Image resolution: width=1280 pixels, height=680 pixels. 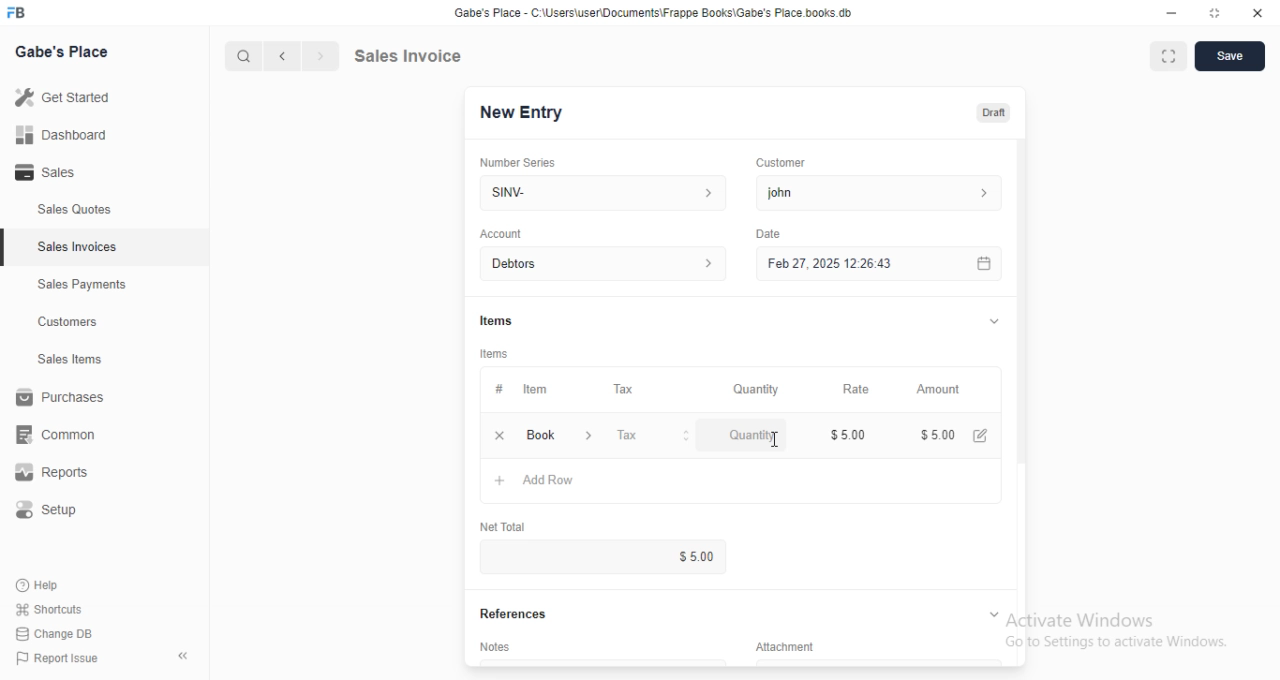 What do you see at coordinates (957, 433) in the screenshot?
I see `$5.00` at bounding box center [957, 433].